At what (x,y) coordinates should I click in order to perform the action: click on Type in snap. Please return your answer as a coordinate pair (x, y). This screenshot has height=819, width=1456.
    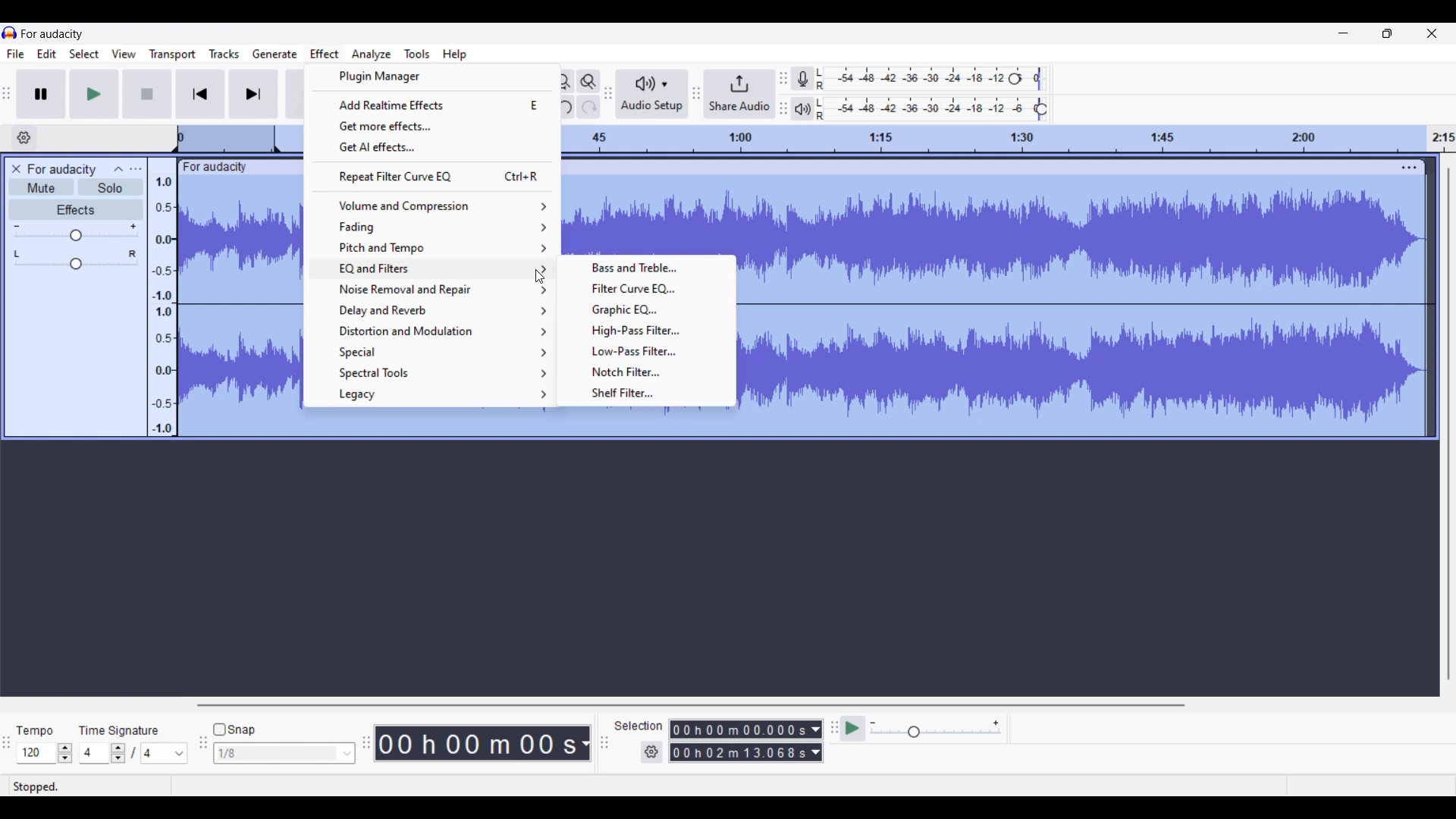
    Looking at the image, I should click on (277, 754).